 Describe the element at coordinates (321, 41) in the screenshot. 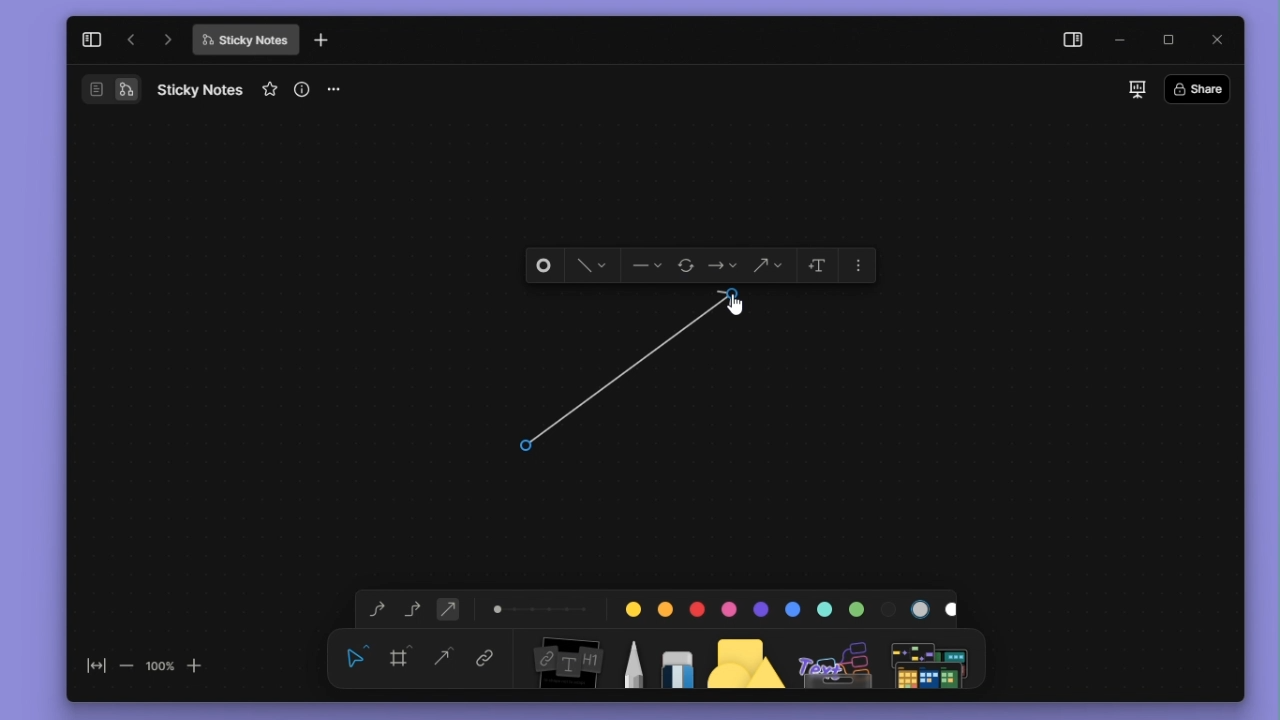

I see `new tab` at that location.